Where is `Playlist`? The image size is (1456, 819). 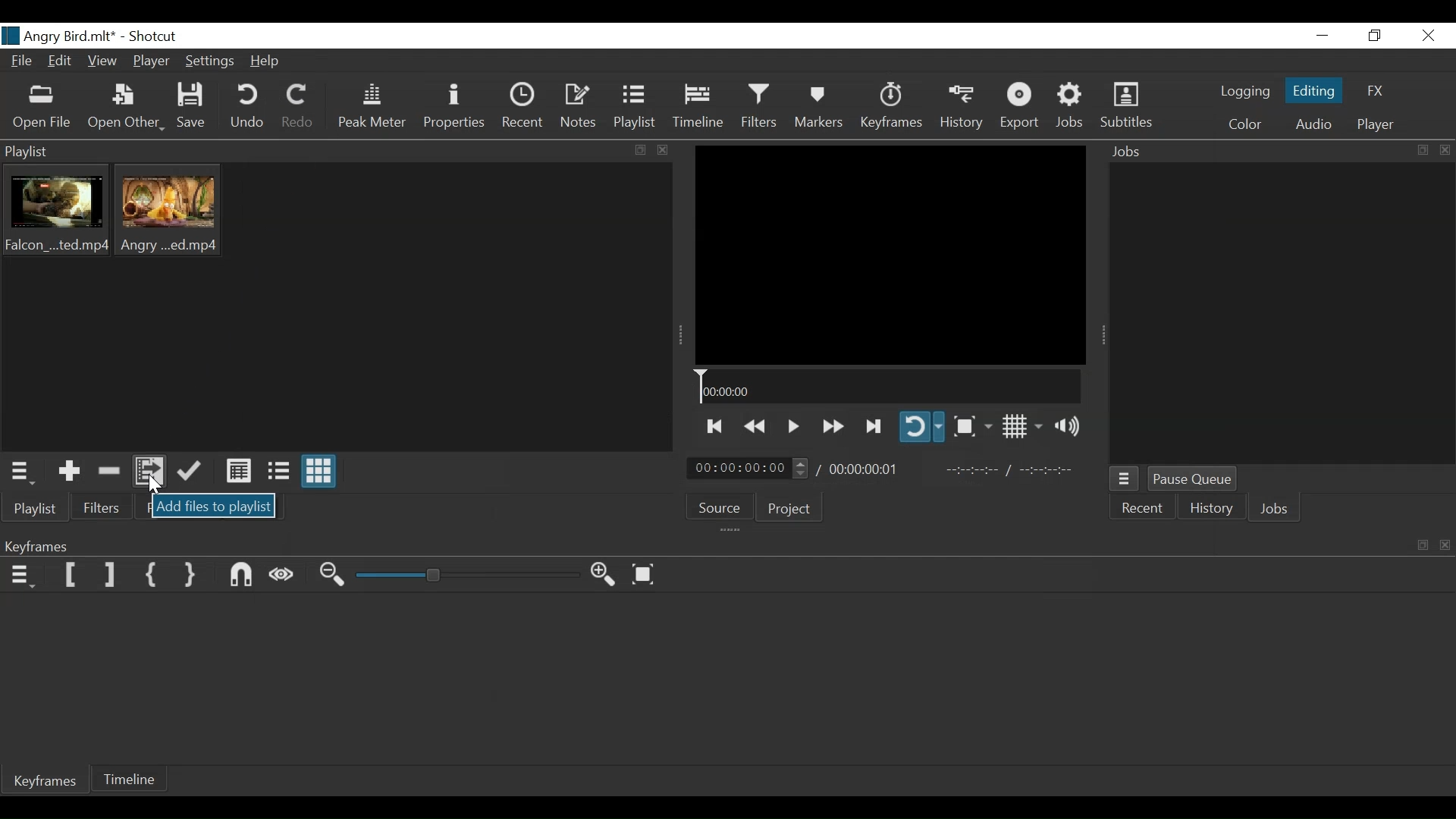
Playlist is located at coordinates (636, 108).